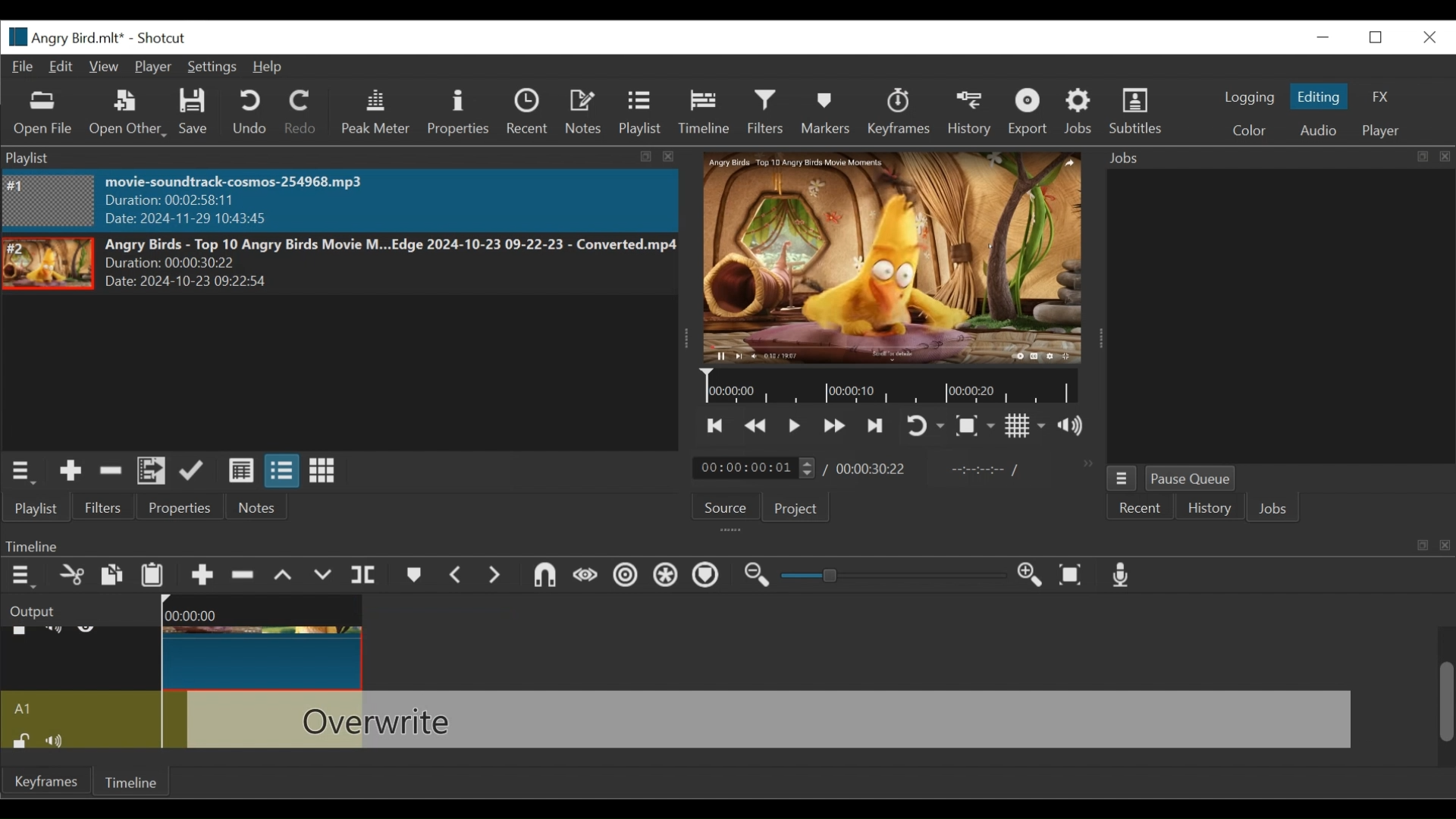  I want to click on Play quickly backward, so click(758, 426).